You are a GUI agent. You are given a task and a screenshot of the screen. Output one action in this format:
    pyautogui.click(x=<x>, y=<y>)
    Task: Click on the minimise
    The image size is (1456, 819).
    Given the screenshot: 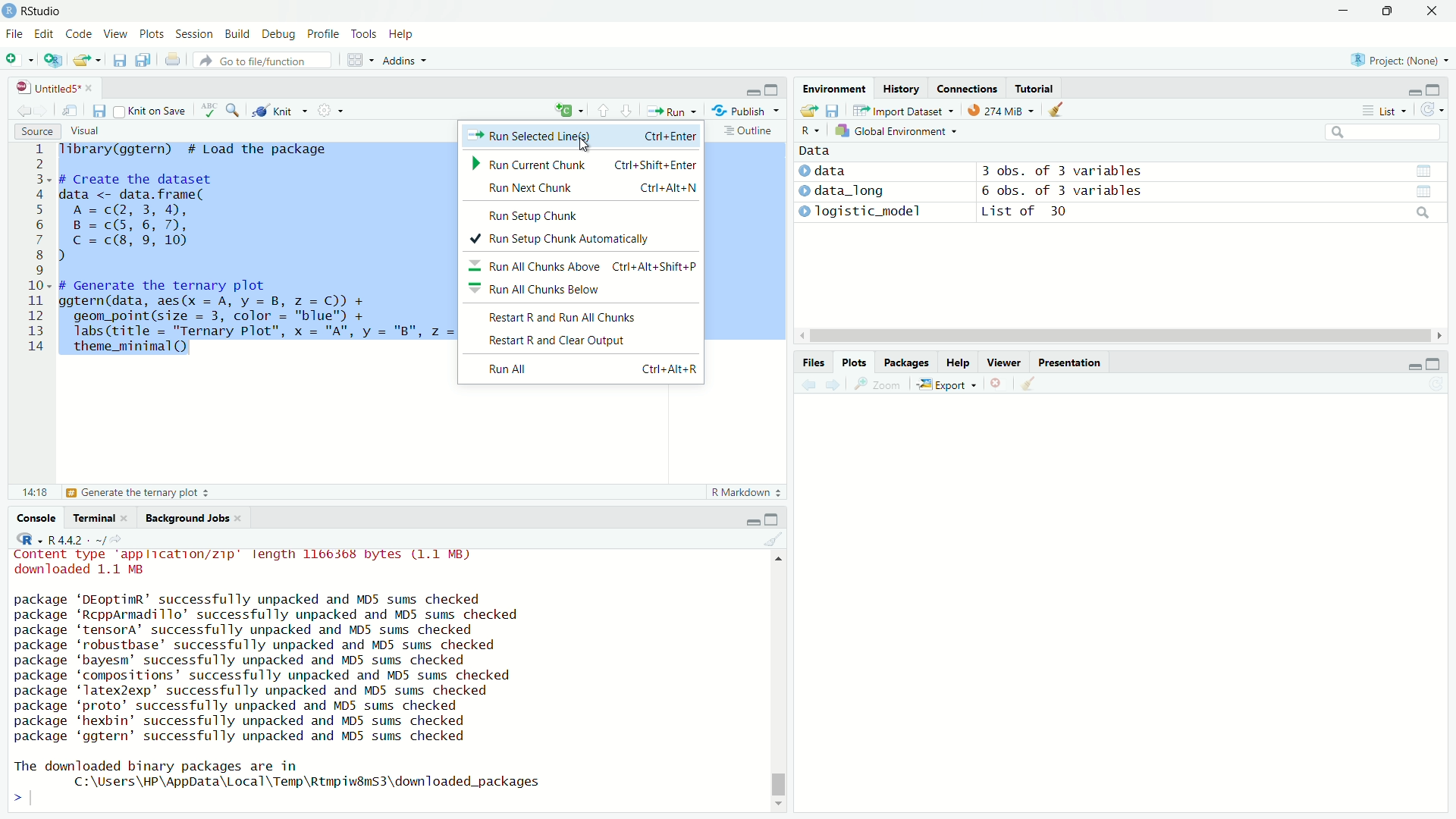 What is the action you would take?
    pyautogui.click(x=749, y=519)
    